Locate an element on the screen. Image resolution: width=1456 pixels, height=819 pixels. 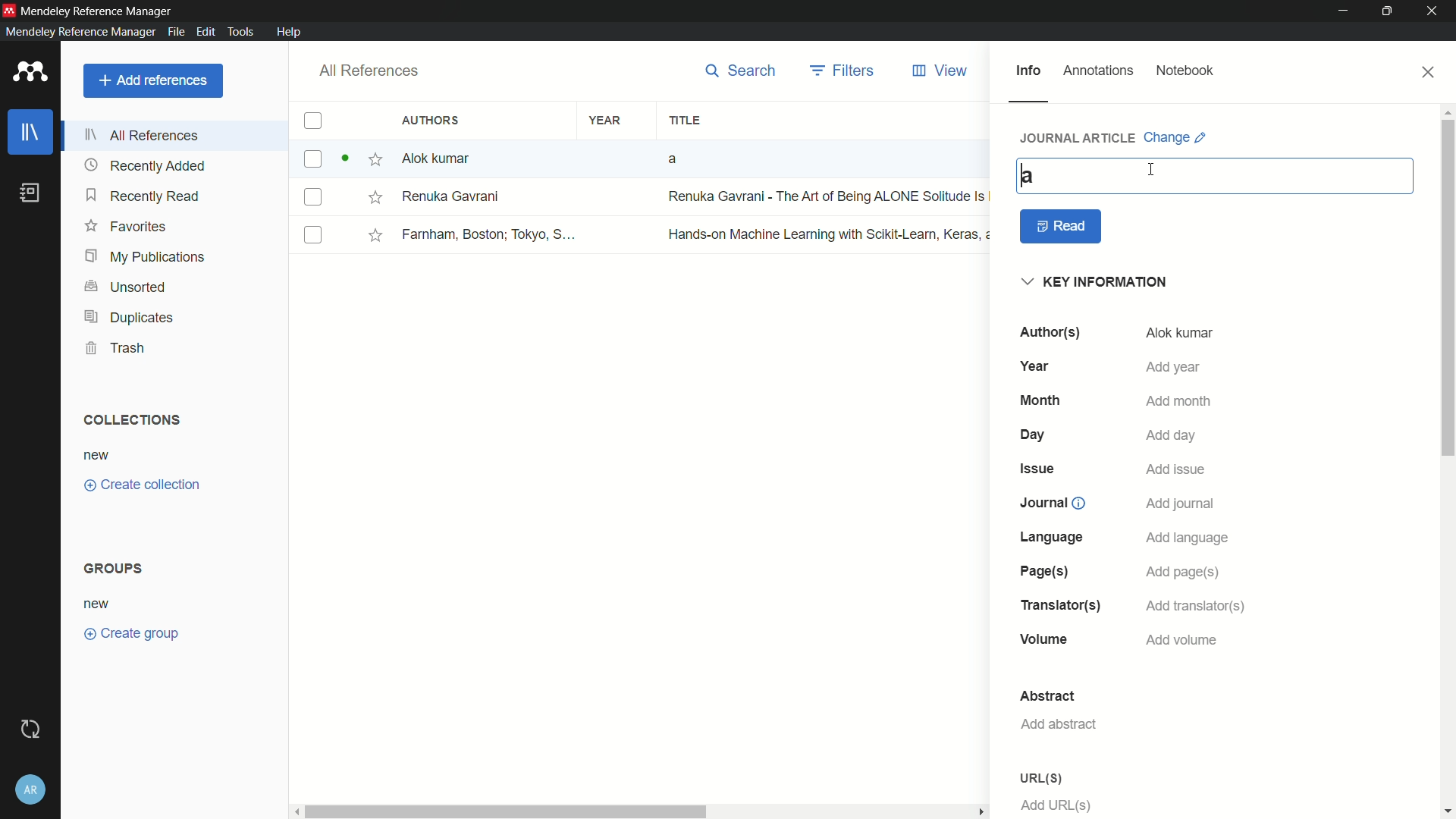
journal article is located at coordinates (1079, 137).